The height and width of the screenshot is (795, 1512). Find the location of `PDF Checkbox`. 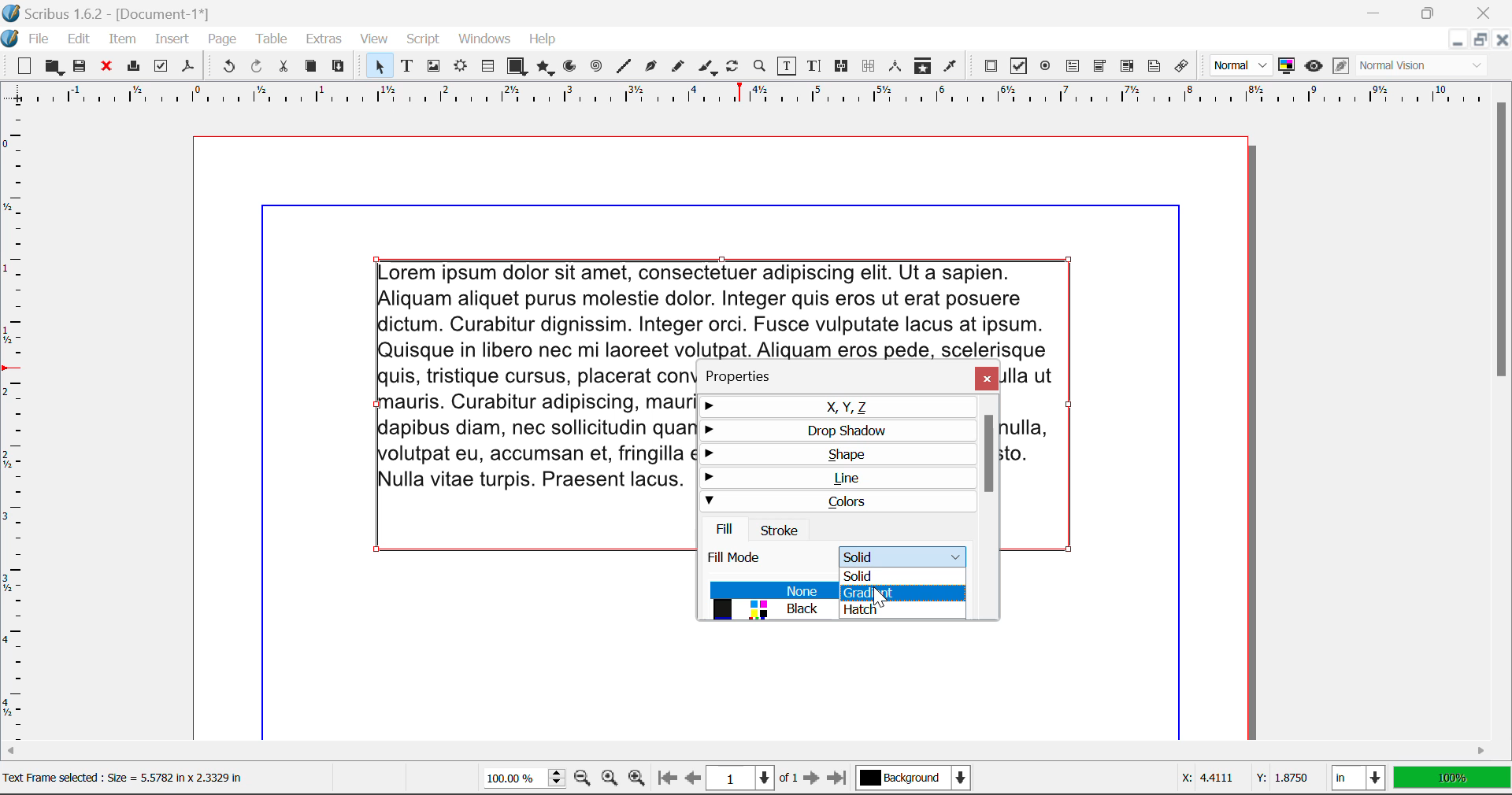

PDF Checkbox is located at coordinates (1017, 66).